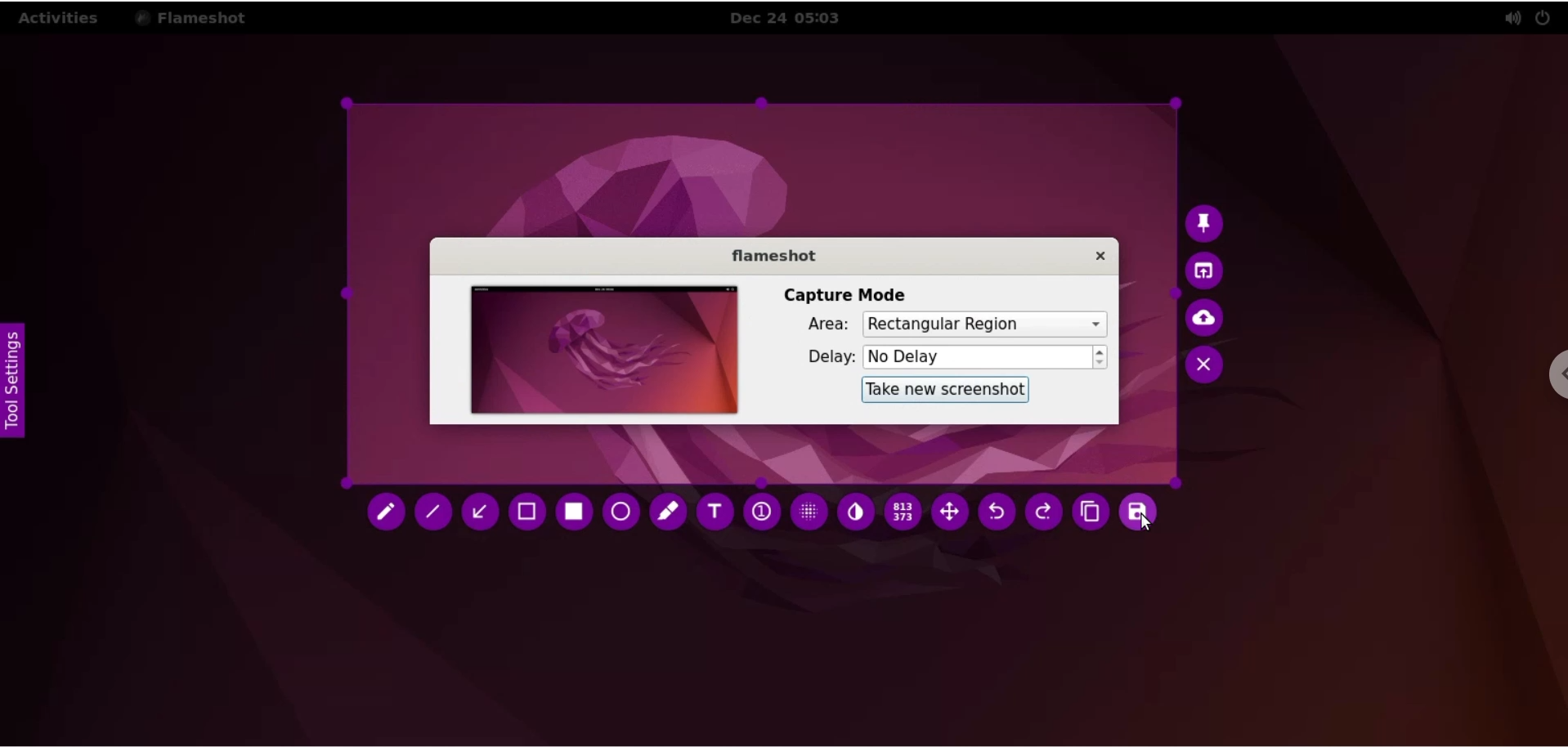 This screenshot has width=1568, height=747. I want to click on cursor, so click(1153, 527).